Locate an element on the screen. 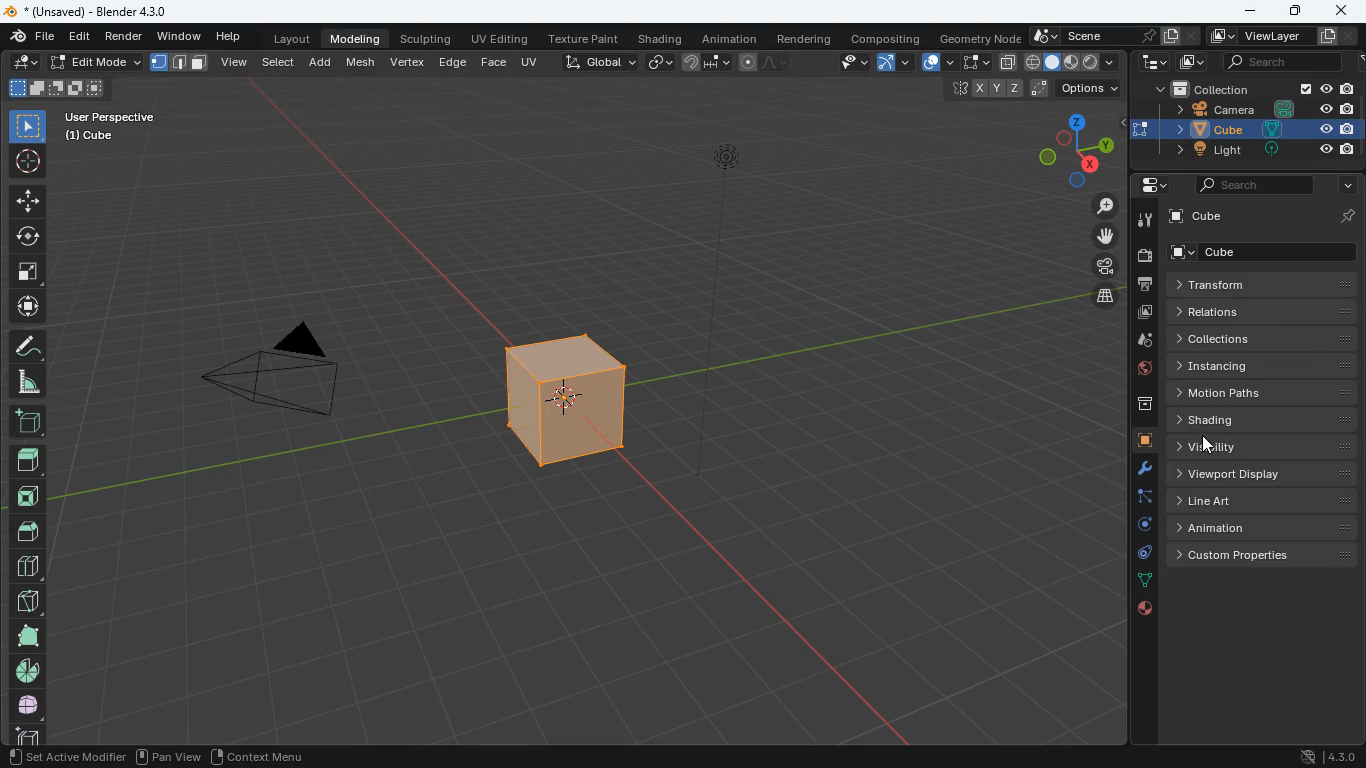  minimize is located at coordinates (1254, 11).